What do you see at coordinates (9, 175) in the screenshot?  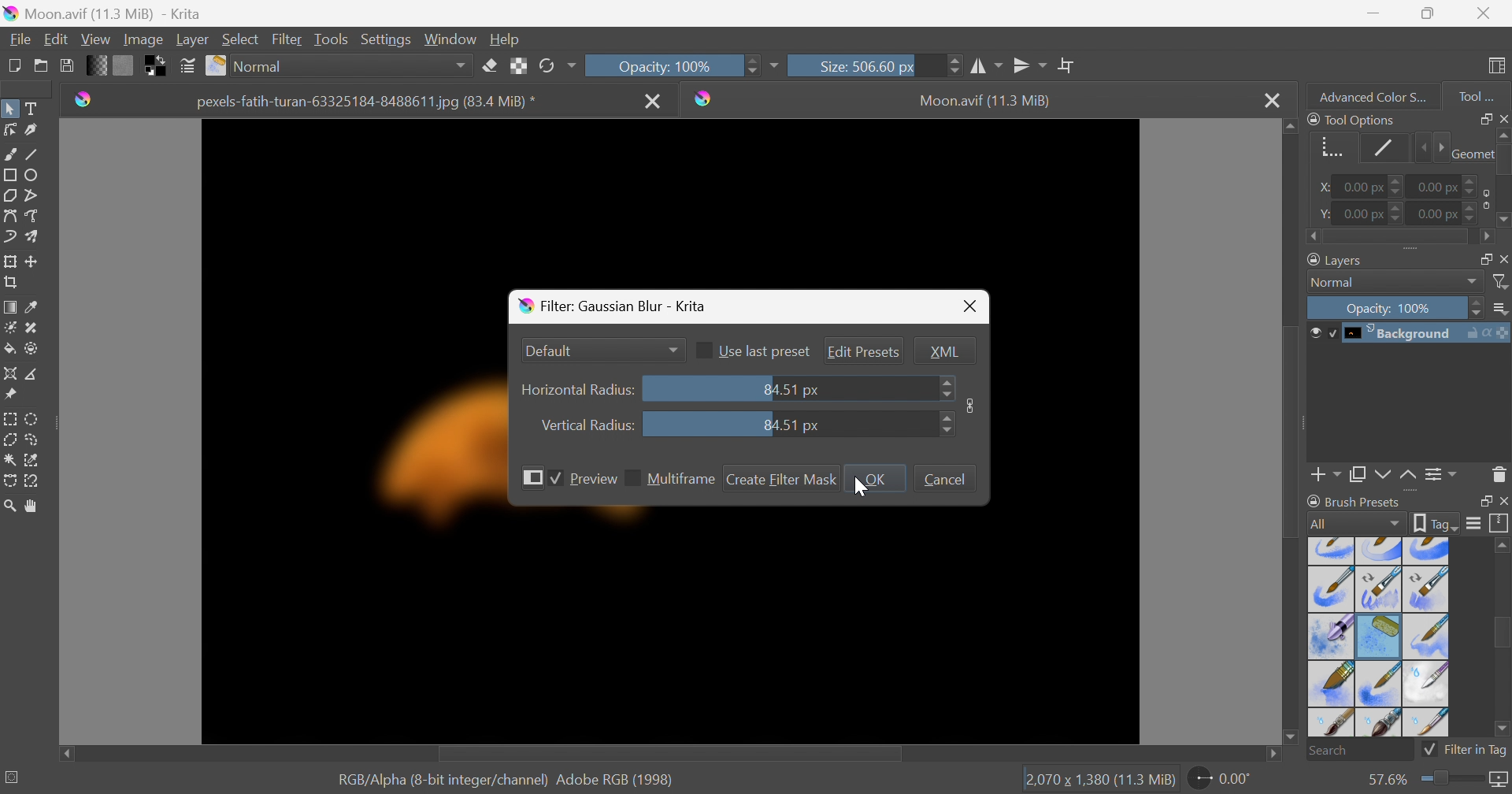 I see `Rectangle tool` at bounding box center [9, 175].